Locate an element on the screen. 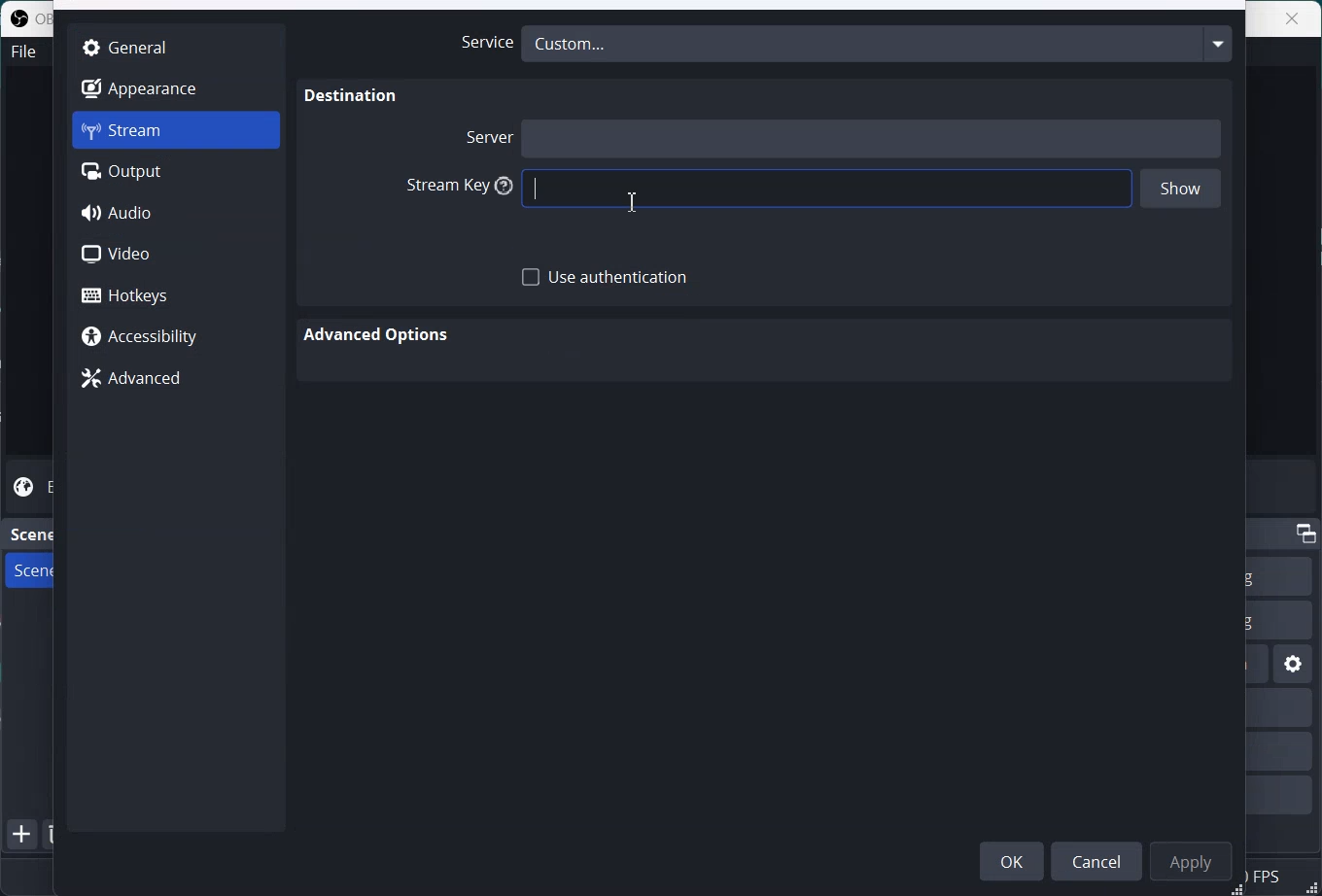 Image resolution: width=1322 pixels, height=896 pixels. Hotkeys is located at coordinates (177, 294).